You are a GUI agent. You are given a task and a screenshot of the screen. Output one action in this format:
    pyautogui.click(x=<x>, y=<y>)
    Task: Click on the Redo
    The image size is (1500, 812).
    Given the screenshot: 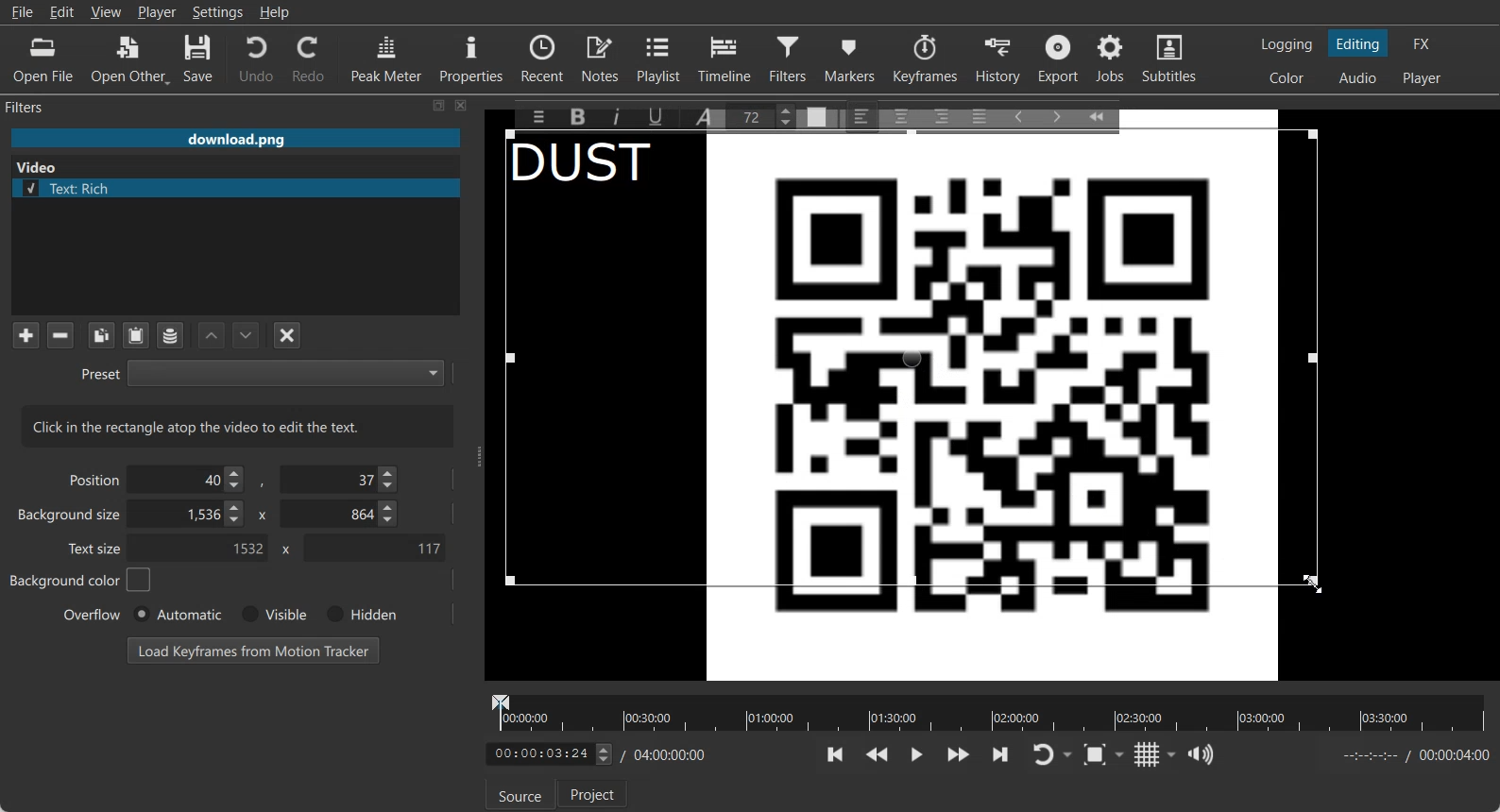 What is the action you would take?
    pyautogui.click(x=310, y=59)
    